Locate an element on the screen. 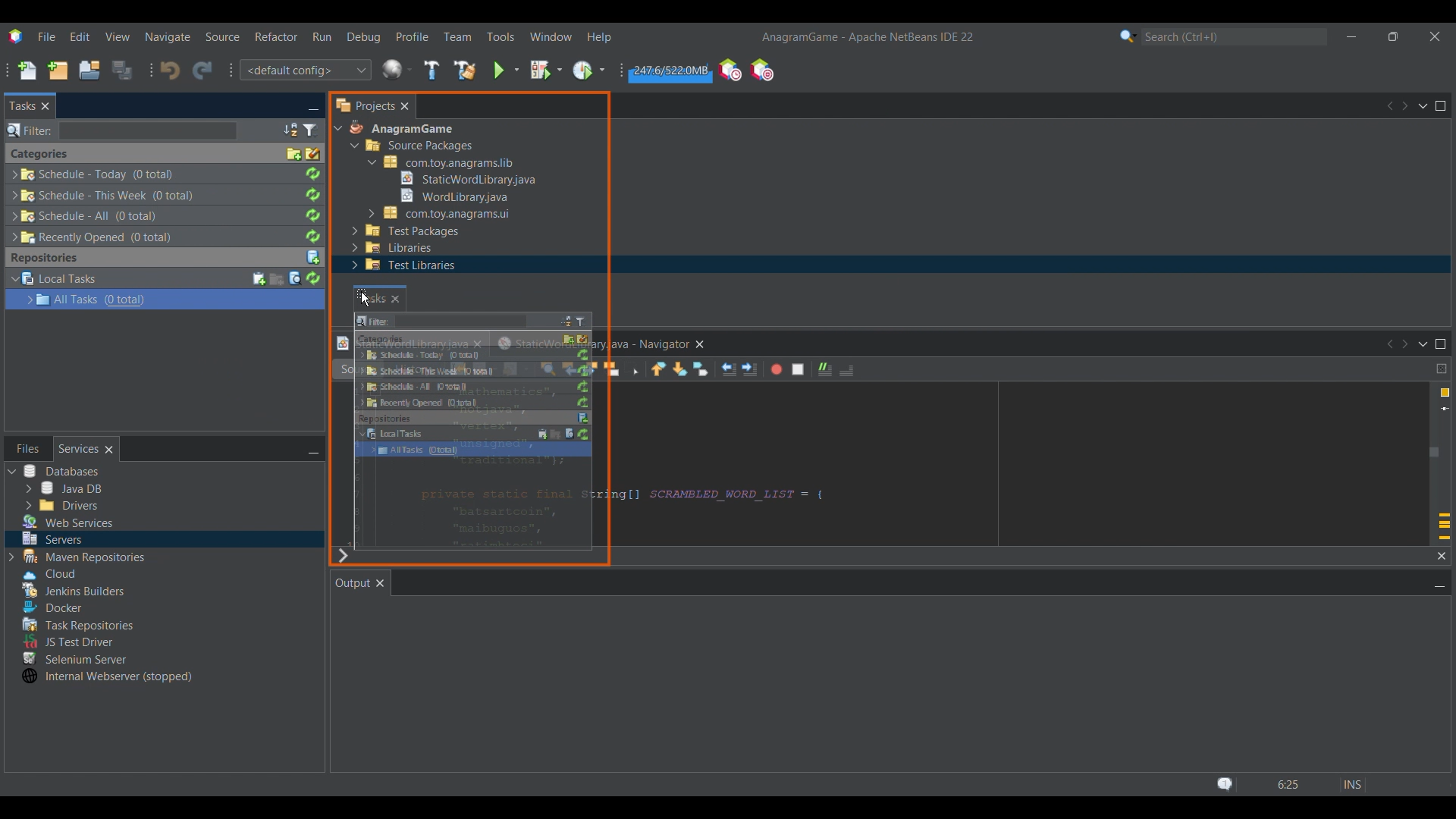   is located at coordinates (450, 195).